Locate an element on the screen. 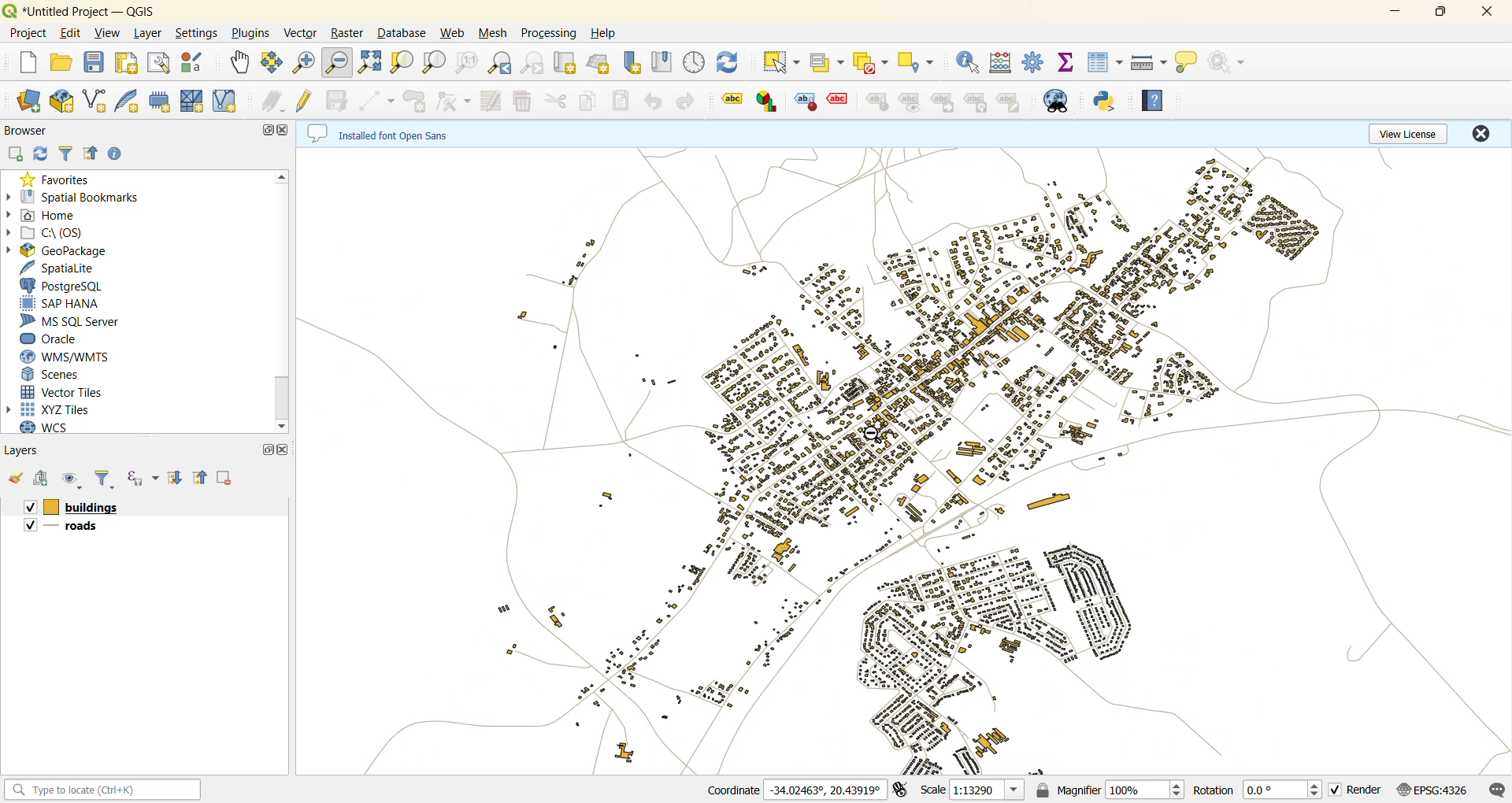  refresh is located at coordinates (728, 61).